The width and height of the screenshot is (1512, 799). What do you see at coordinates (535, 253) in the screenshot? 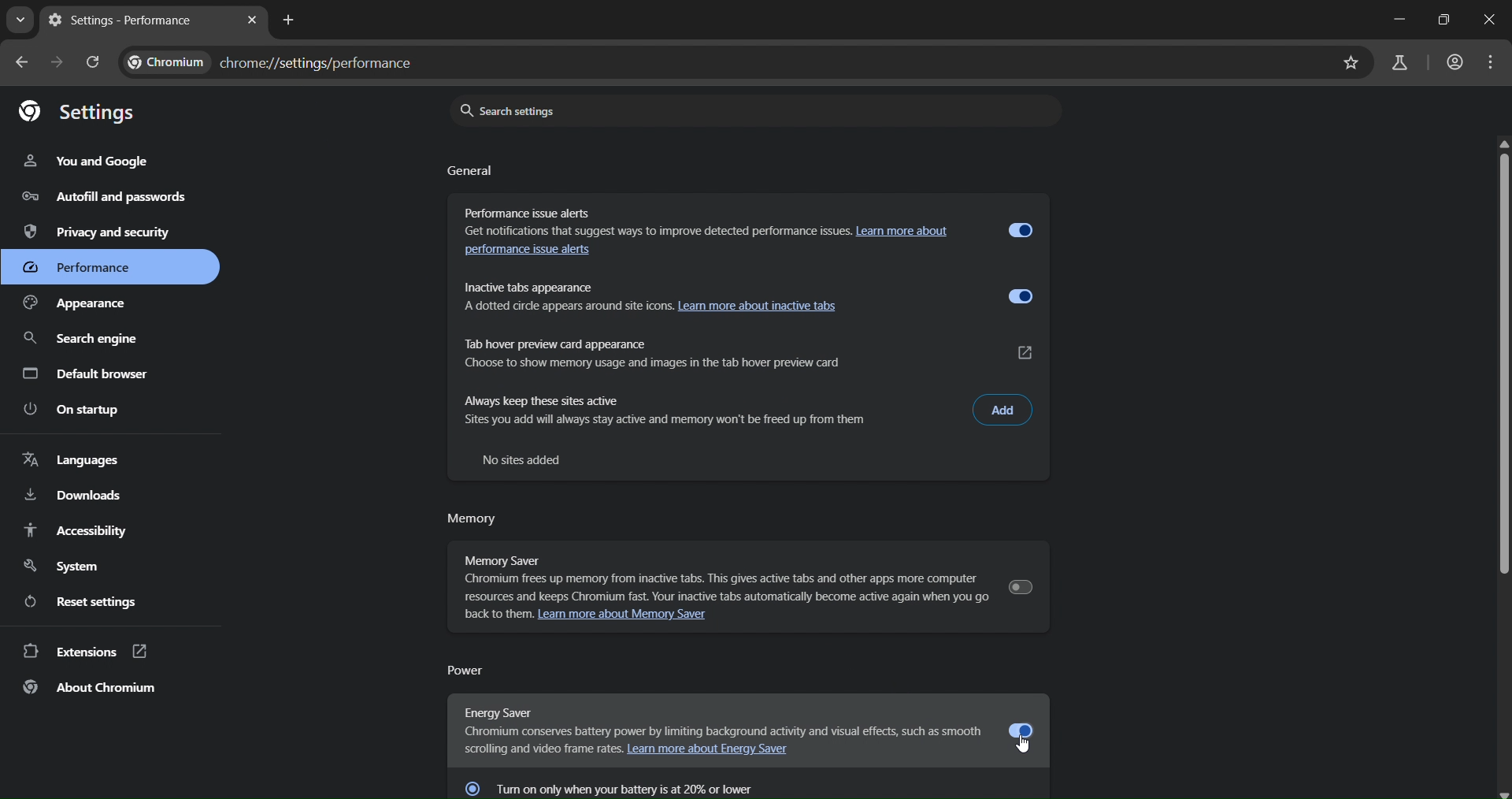
I see `performance issue alerts` at bounding box center [535, 253].